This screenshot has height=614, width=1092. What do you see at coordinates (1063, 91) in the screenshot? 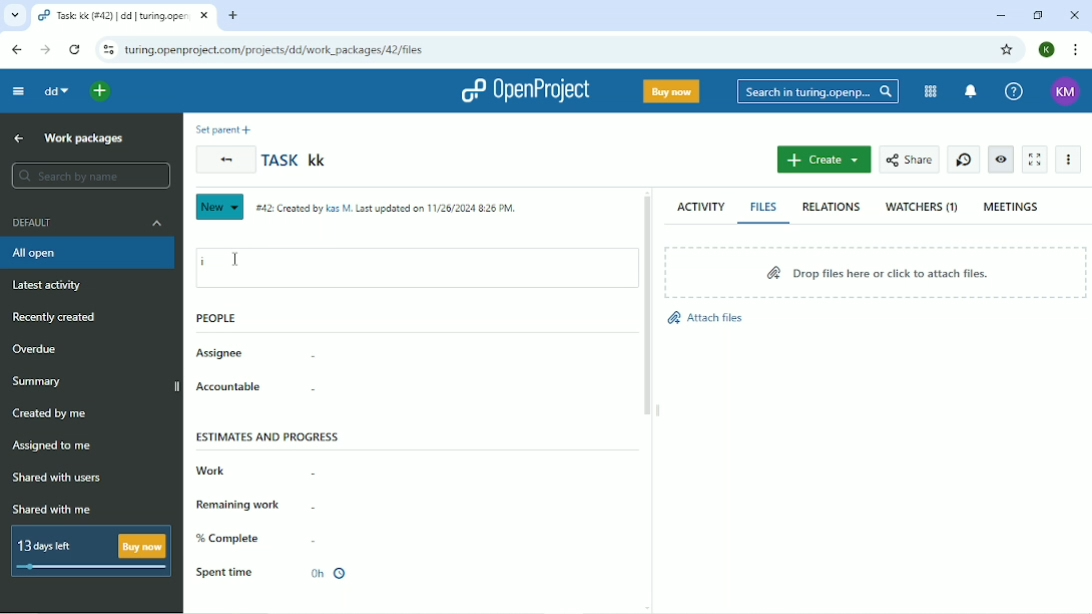
I see `KM` at bounding box center [1063, 91].